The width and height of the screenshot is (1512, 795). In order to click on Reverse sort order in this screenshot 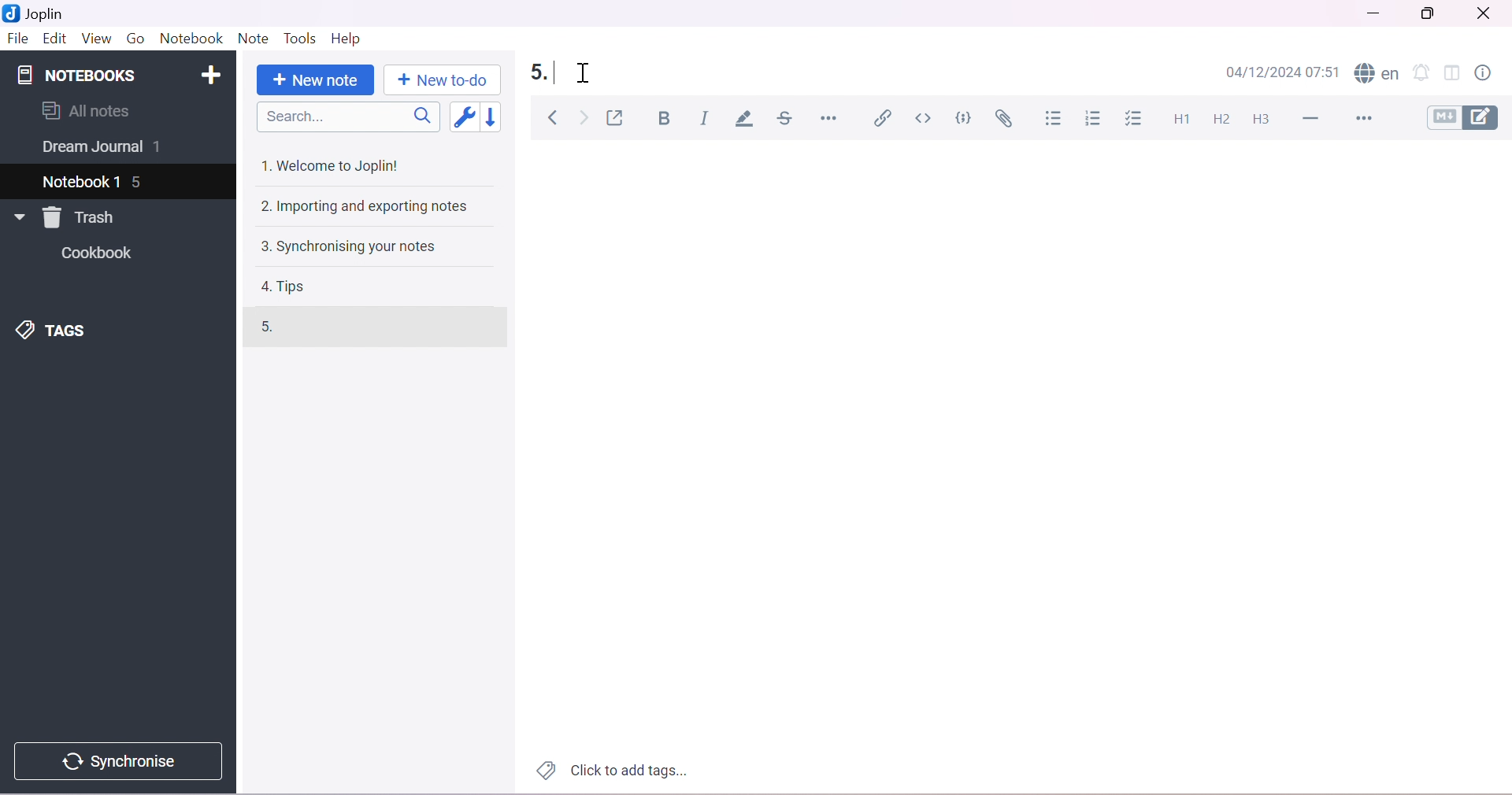, I will do `click(499, 117)`.